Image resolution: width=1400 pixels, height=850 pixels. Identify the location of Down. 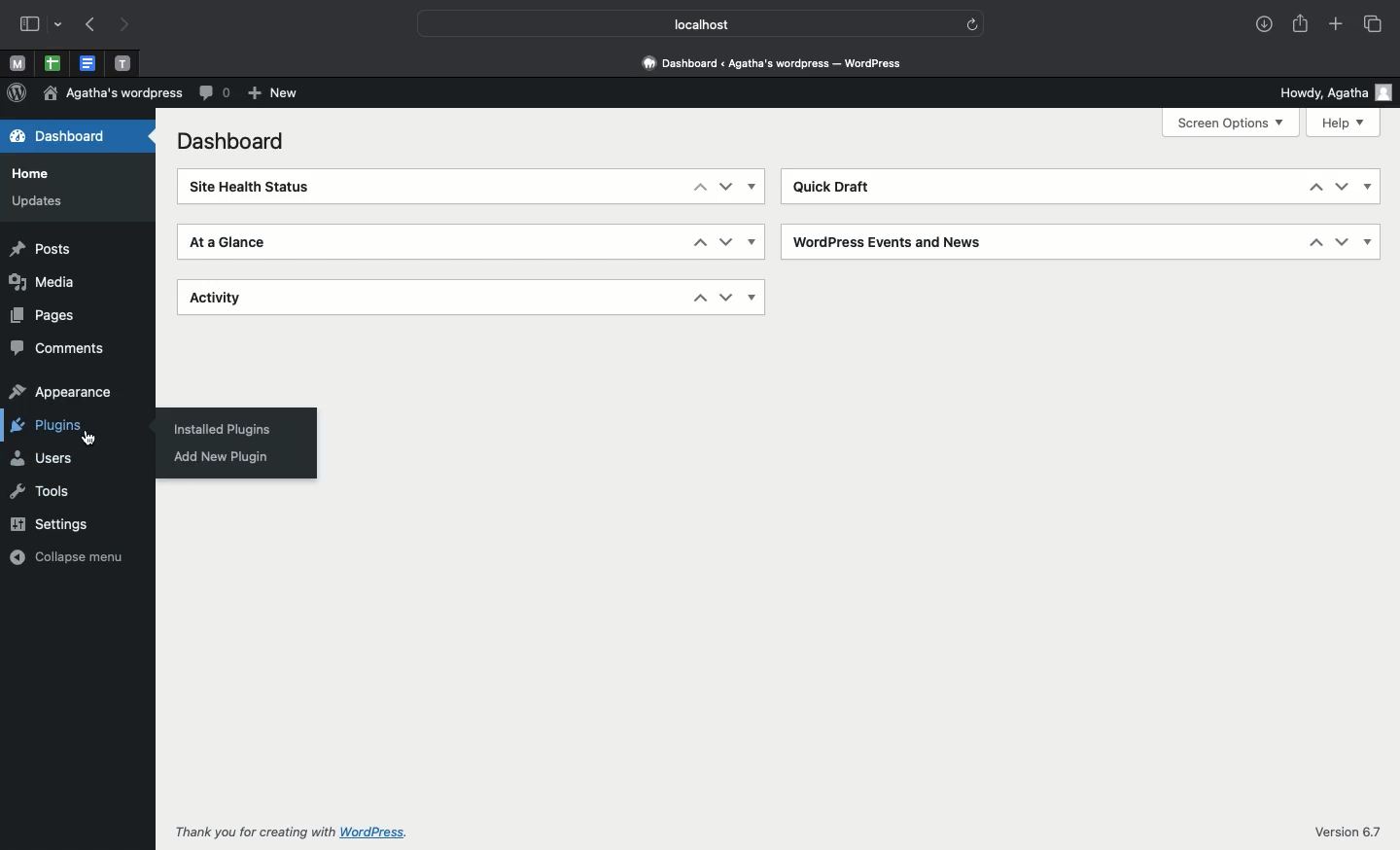
(1343, 187).